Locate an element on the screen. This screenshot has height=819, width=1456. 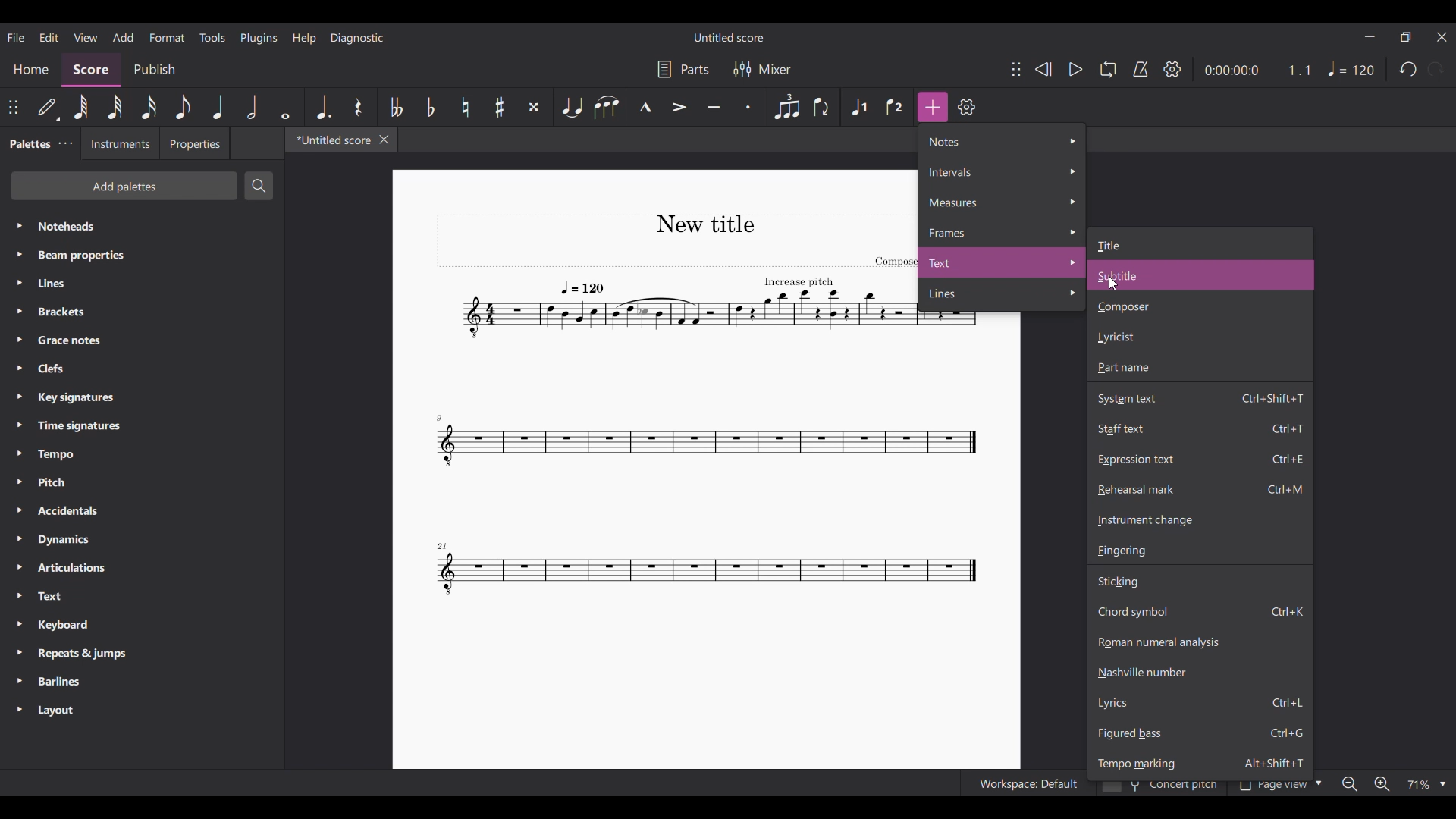
Half note is located at coordinates (252, 107).